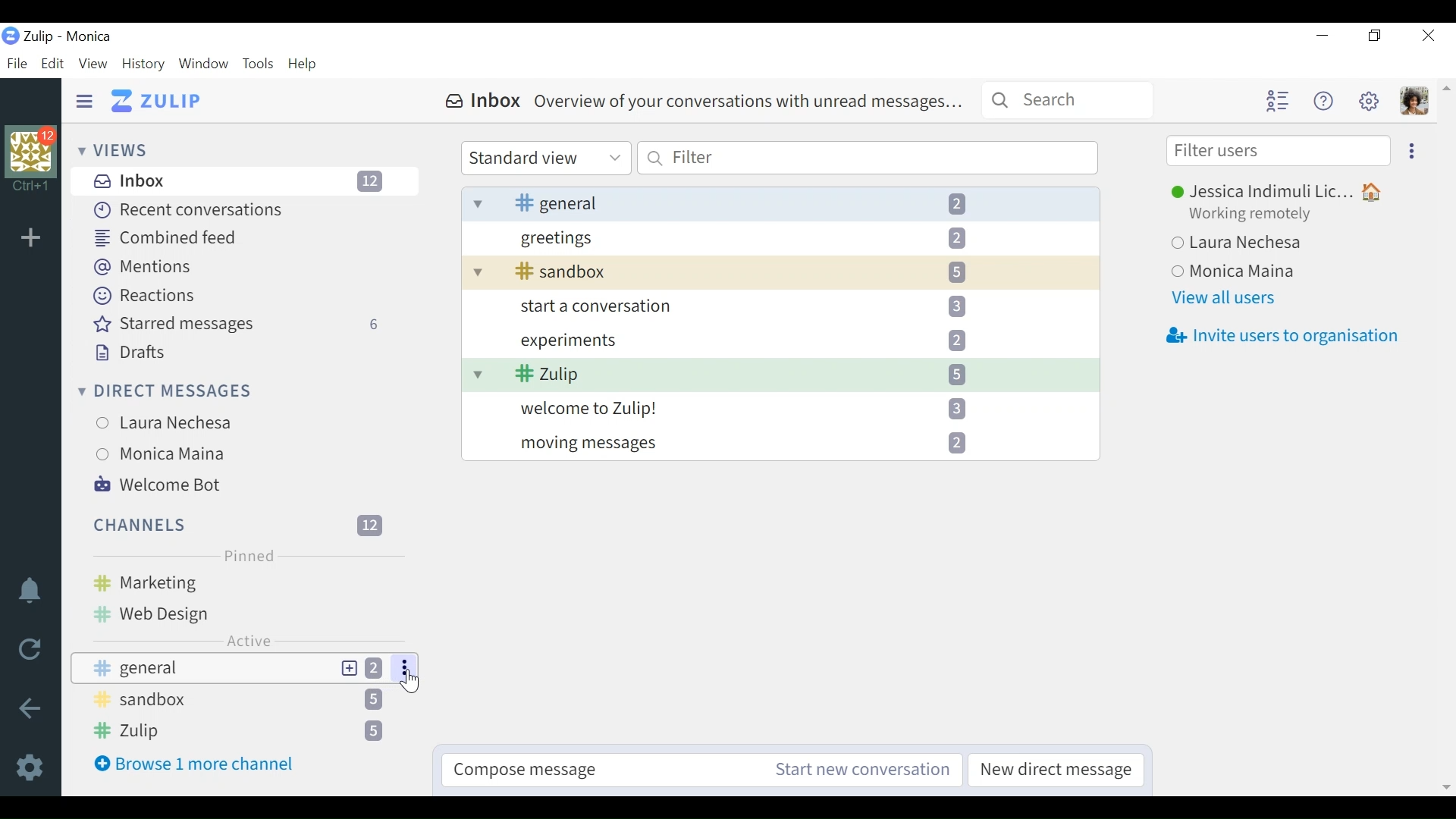 This screenshot has width=1456, height=819. Describe the element at coordinates (11, 37) in the screenshot. I see `Logo` at that location.